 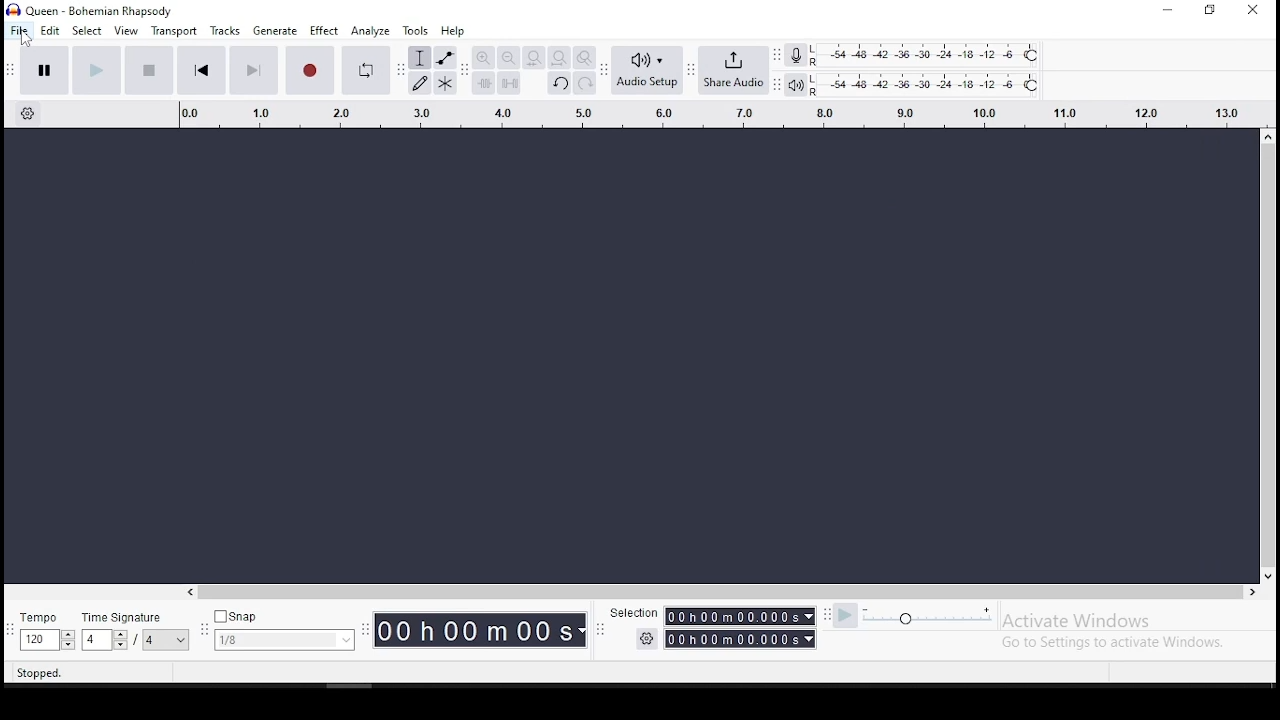 I want to click on analuze, so click(x=370, y=31).